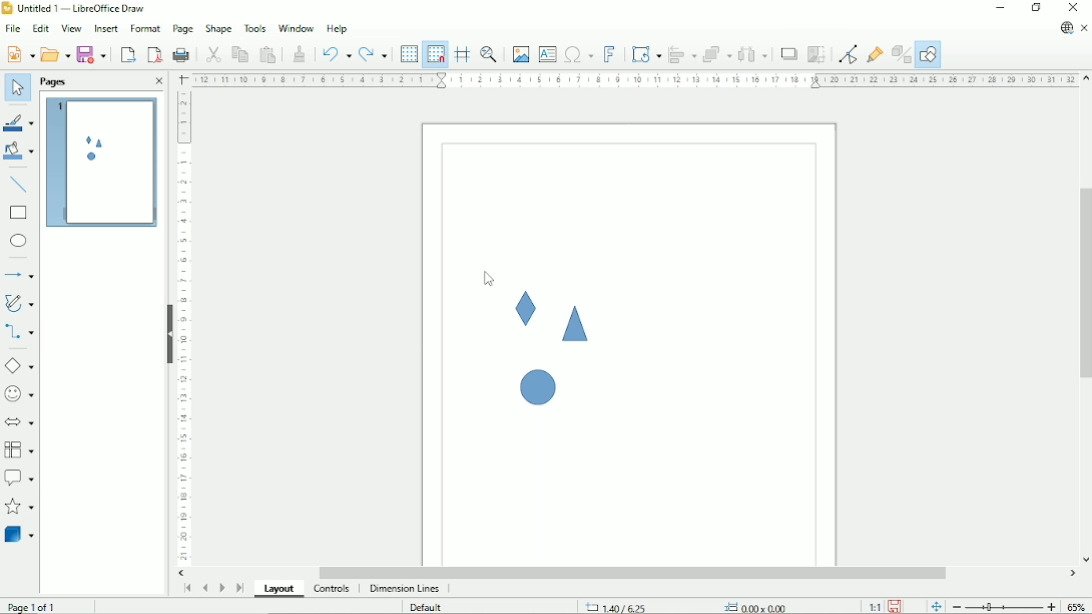 The image size is (1092, 614). What do you see at coordinates (19, 365) in the screenshot?
I see `Basic shapes ` at bounding box center [19, 365].